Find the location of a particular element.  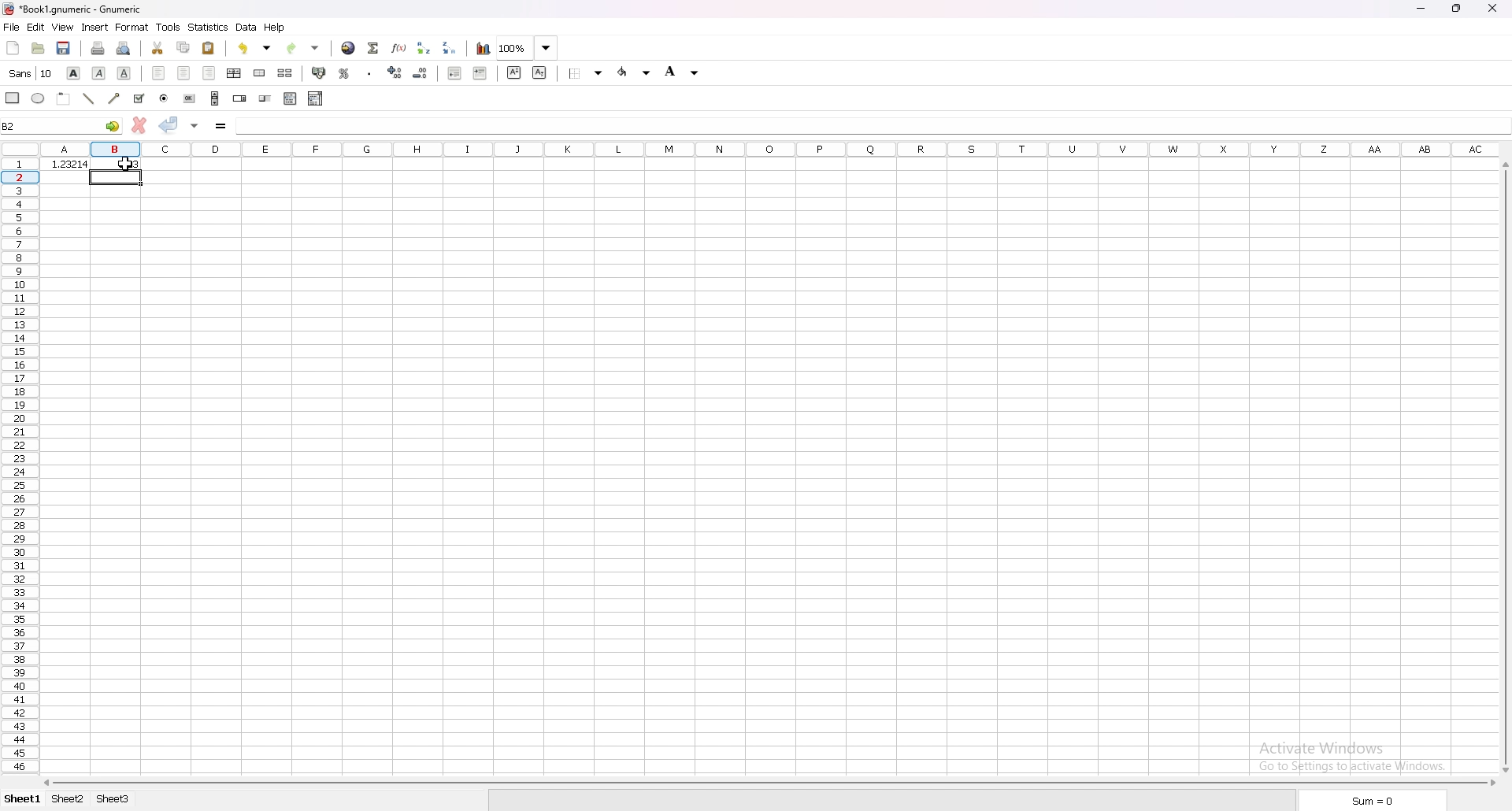

spin button is located at coordinates (239, 99).